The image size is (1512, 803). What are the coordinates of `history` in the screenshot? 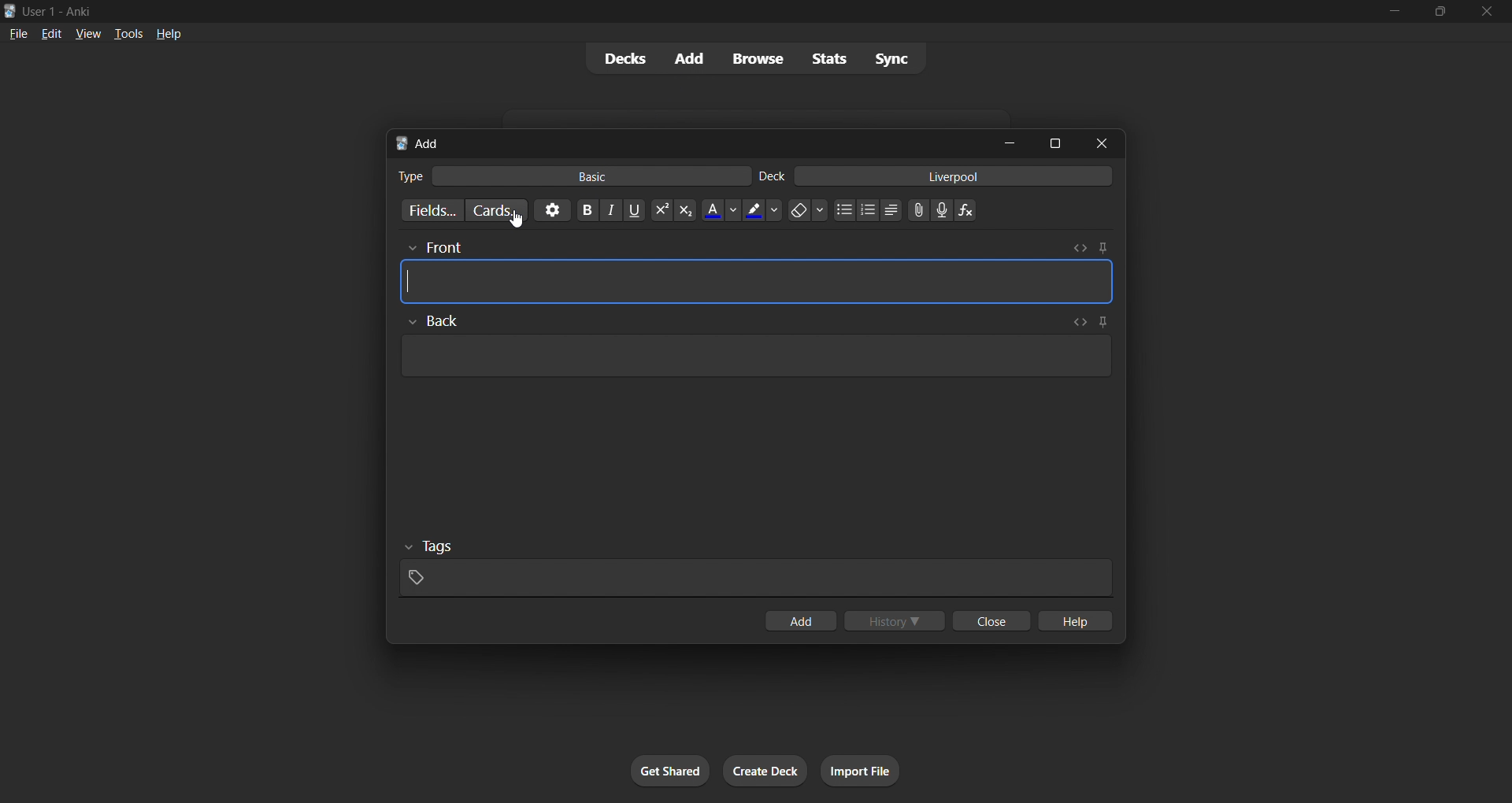 It's located at (893, 620).